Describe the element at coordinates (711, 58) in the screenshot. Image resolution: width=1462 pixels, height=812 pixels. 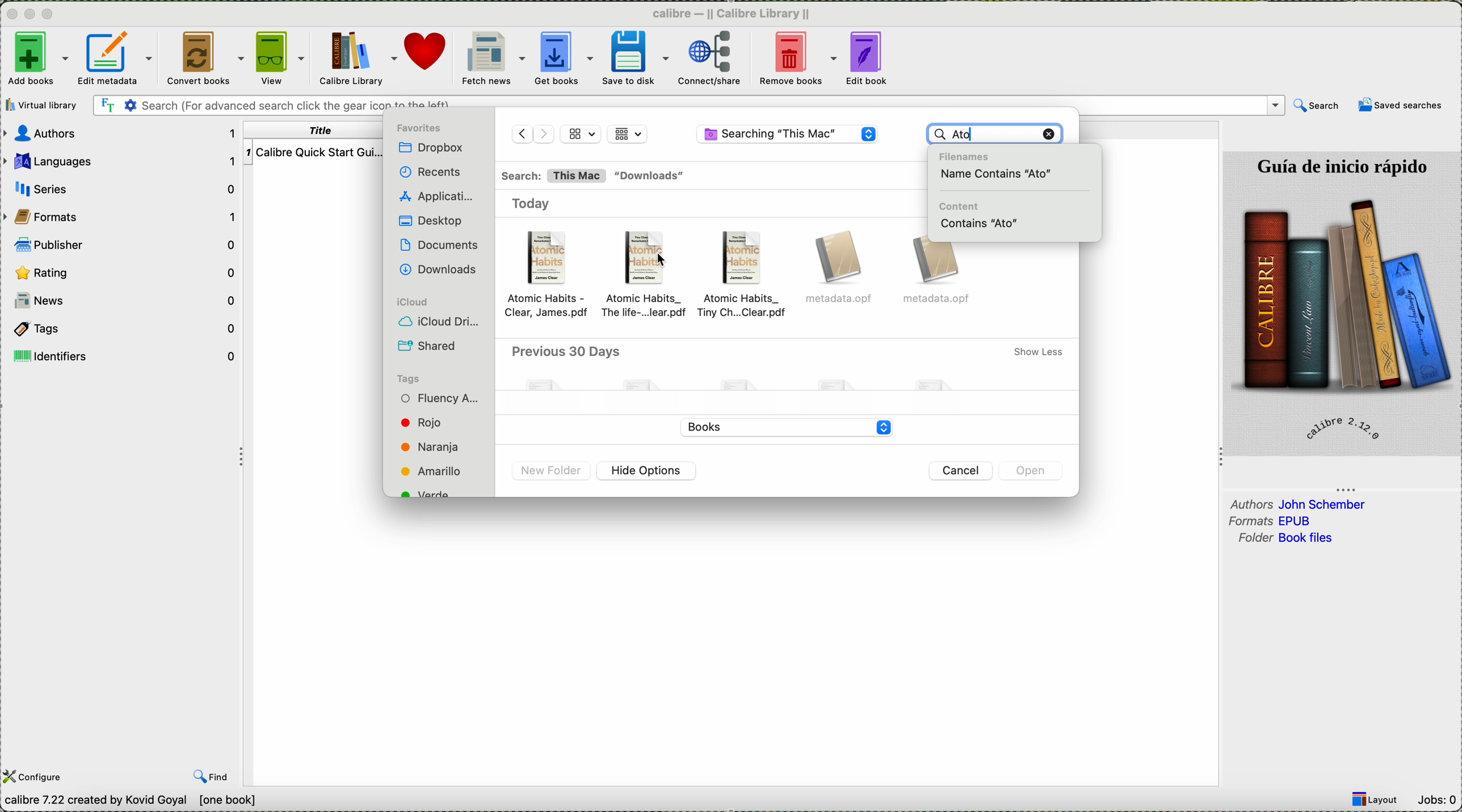
I see `connect/share` at that location.